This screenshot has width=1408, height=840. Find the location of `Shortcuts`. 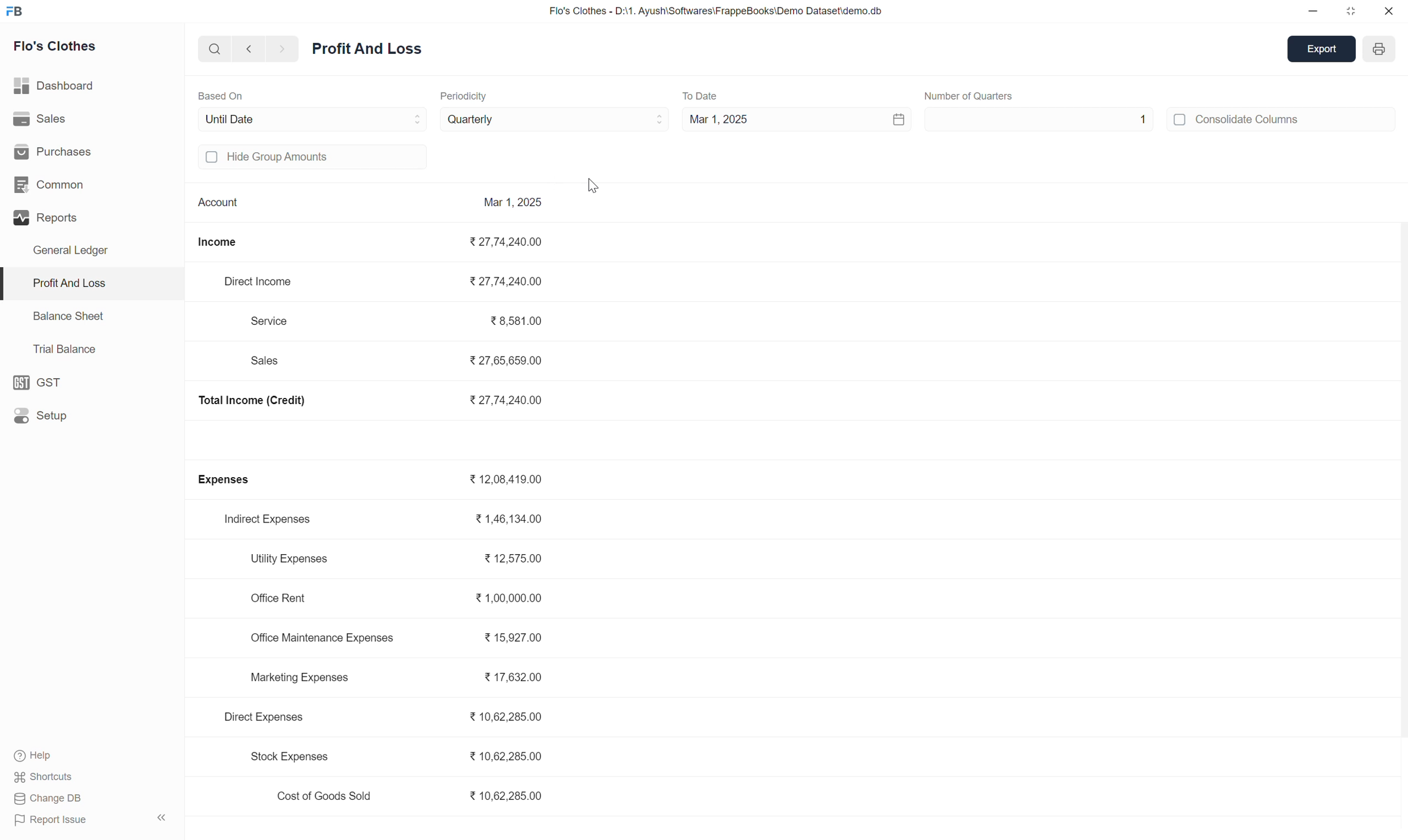

Shortcuts is located at coordinates (49, 778).